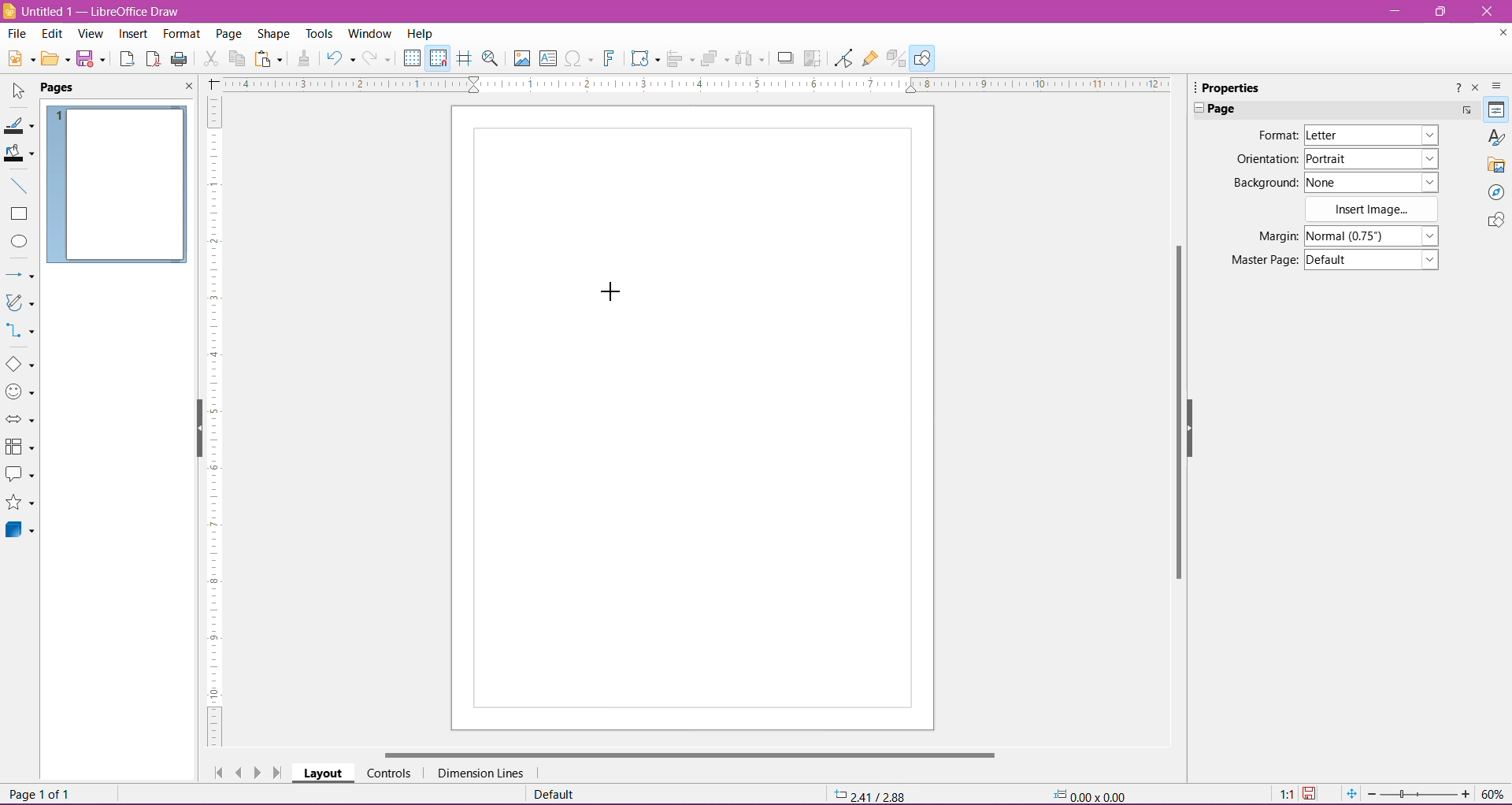  Describe the element at coordinates (1174, 409) in the screenshot. I see `Vertical Scroll Bar` at that location.